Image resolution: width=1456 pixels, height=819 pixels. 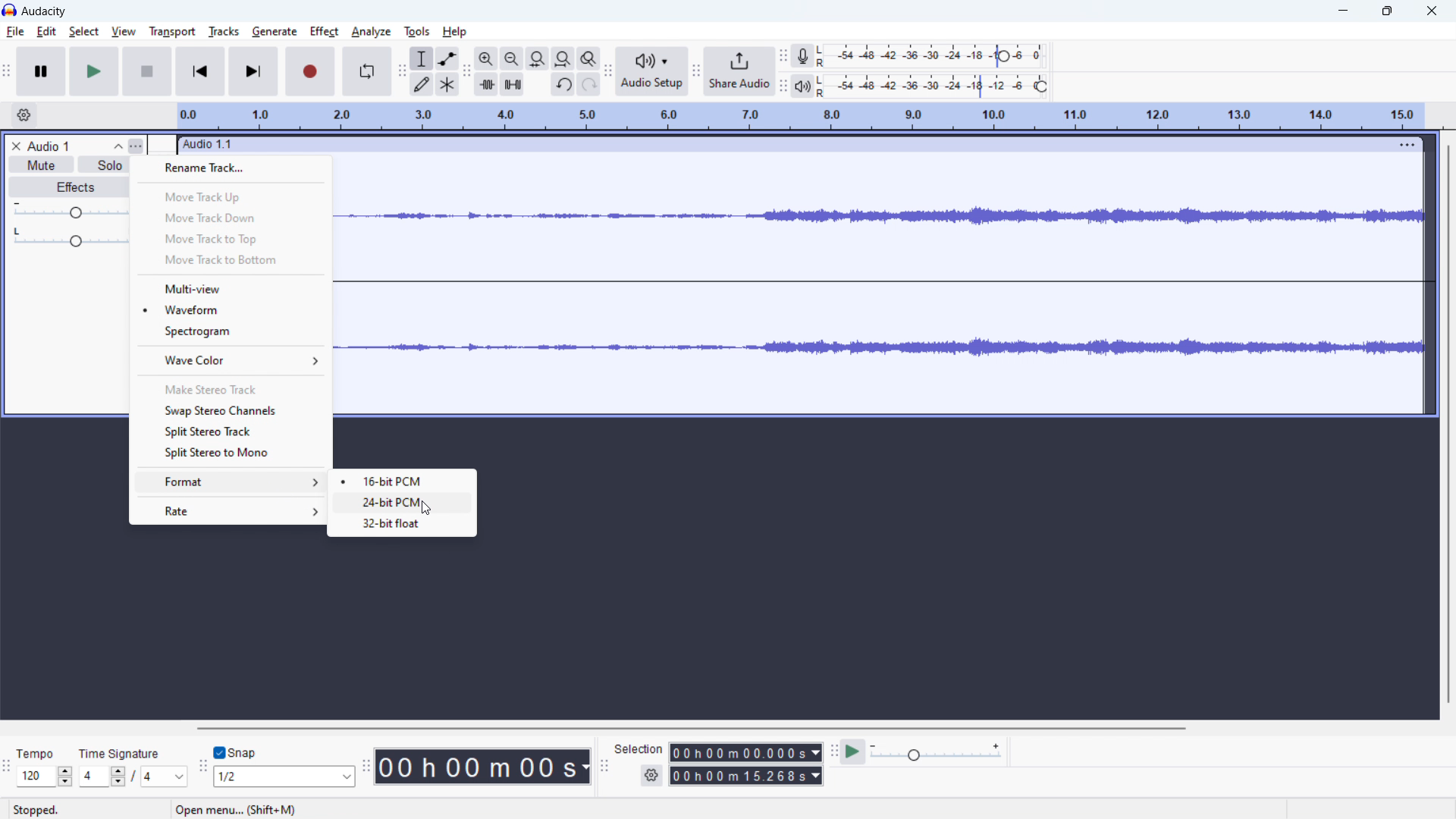 I want to click on play at speed, so click(x=853, y=752).